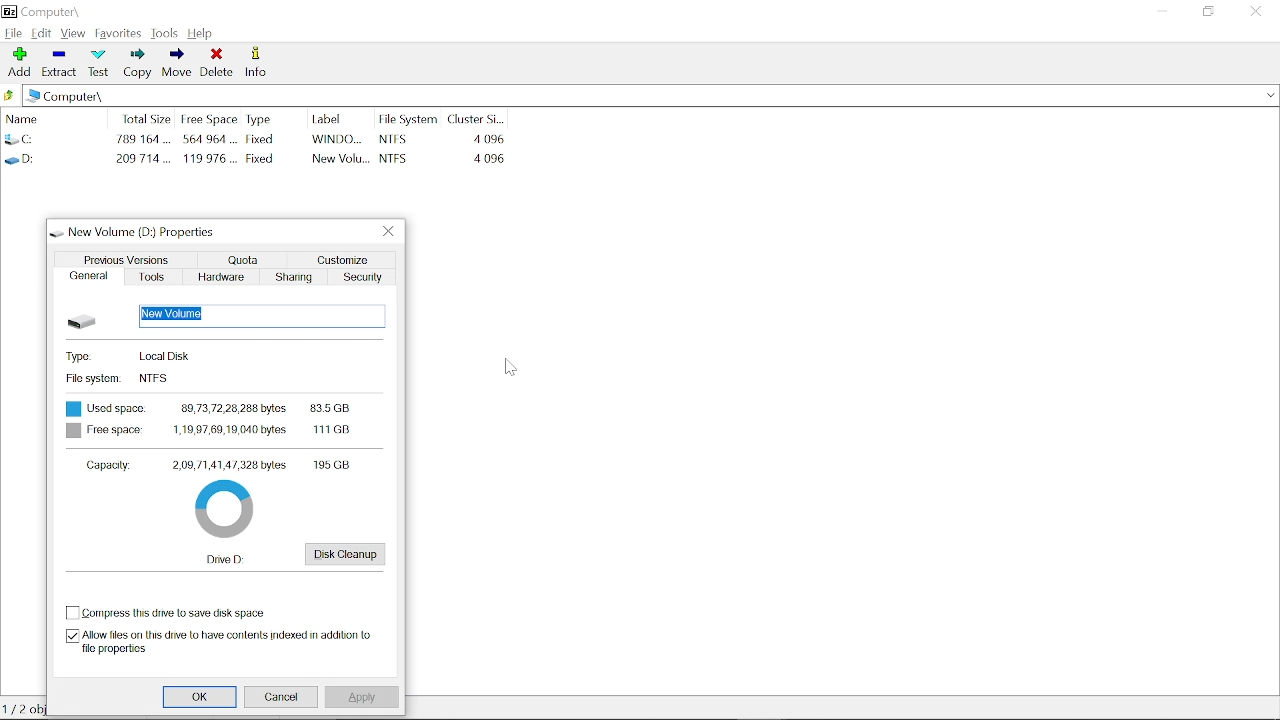 The image size is (1280, 720). Describe the element at coordinates (409, 148) in the screenshot. I see `NTFS NTFS` at that location.